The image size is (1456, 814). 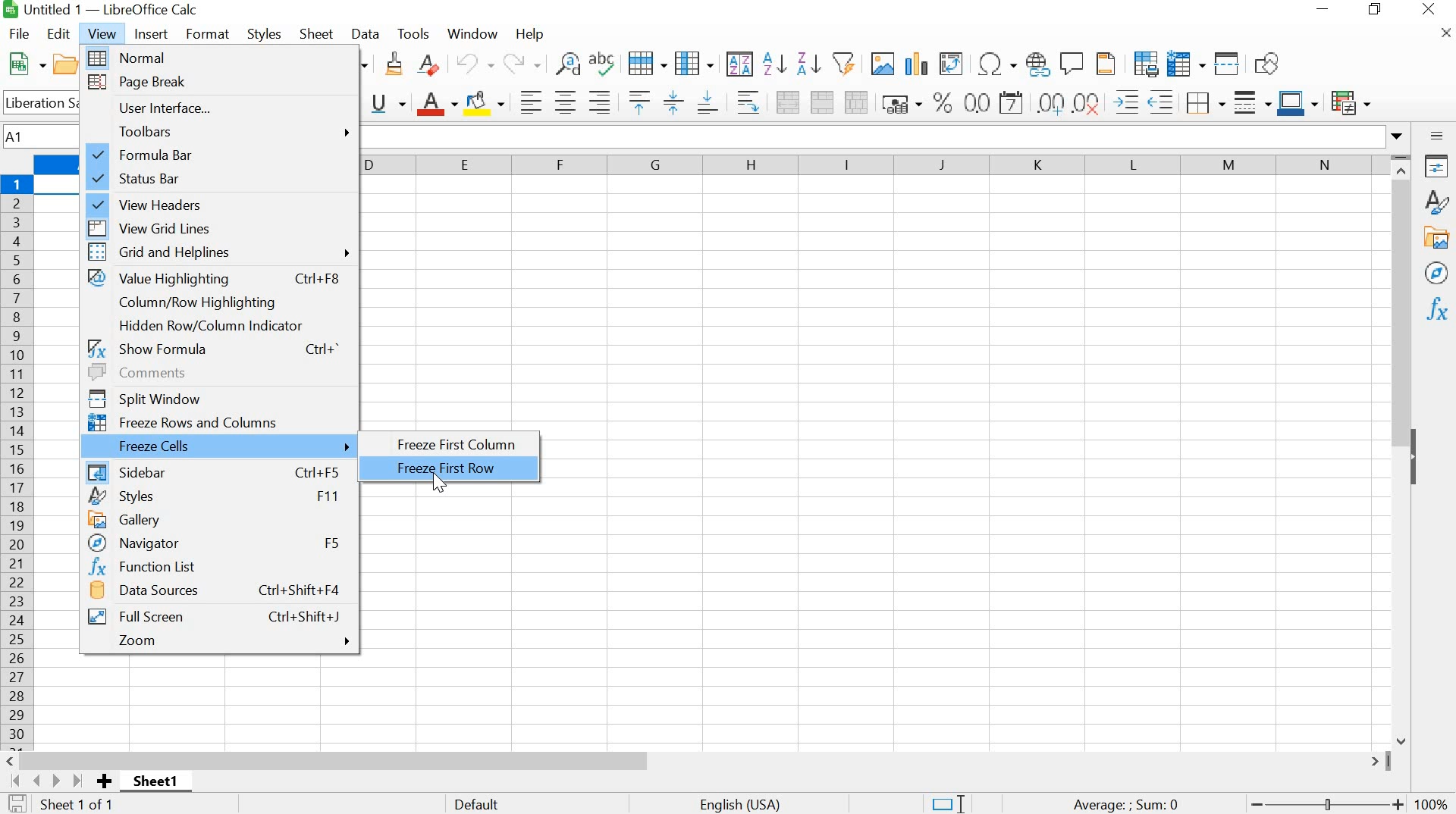 I want to click on DEFINE PRINT AREA, so click(x=1145, y=63).